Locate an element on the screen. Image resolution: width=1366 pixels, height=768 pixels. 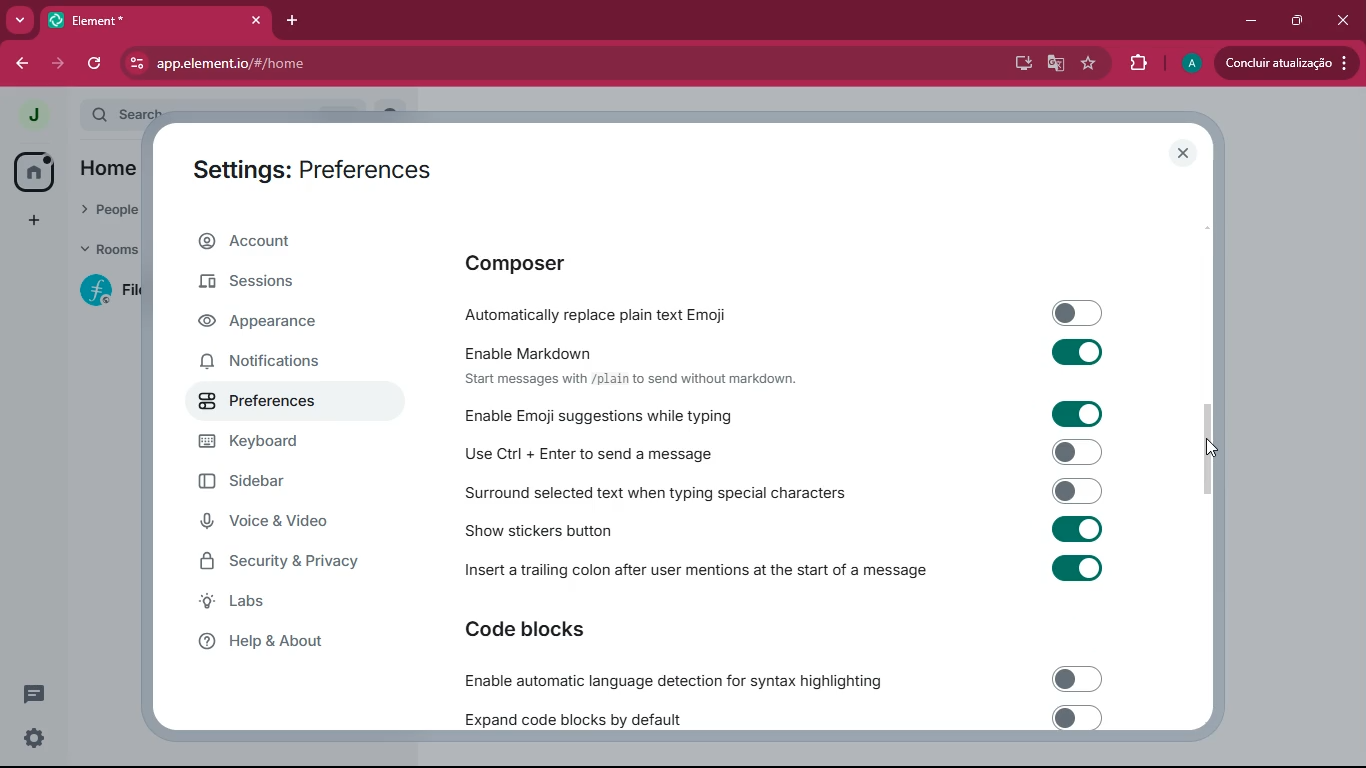
Enable Emoji suggestions while typing is located at coordinates (793, 412).